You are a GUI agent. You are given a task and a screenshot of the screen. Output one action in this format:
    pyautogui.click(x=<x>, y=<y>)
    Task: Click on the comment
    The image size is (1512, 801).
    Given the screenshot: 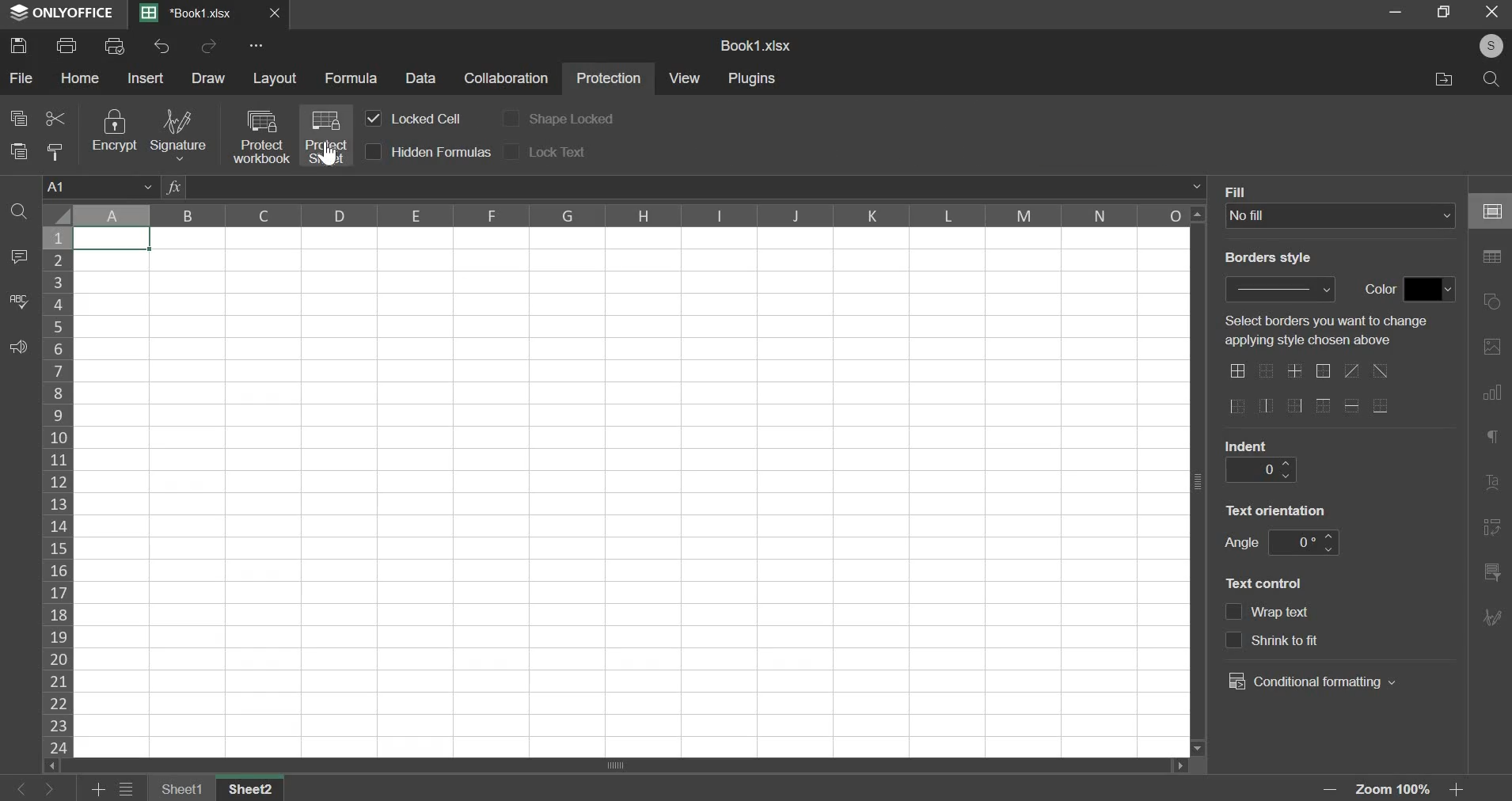 What is the action you would take?
    pyautogui.click(x=16, y=257)
    